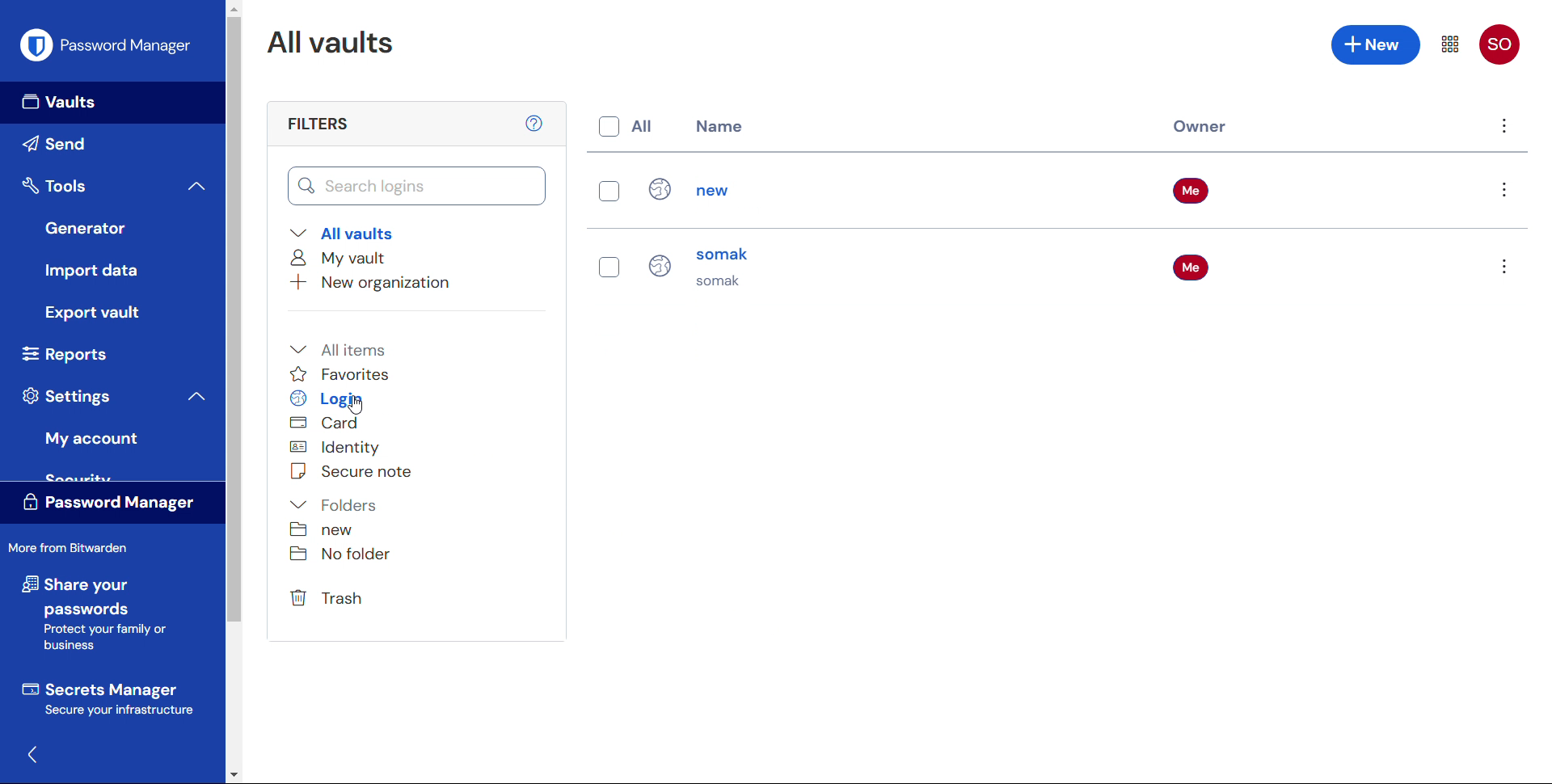 This screenshot has width=1552, height=784. Describe the element at coordinates (356, 406) in the screenshot. I see `Cursor ` at that location.